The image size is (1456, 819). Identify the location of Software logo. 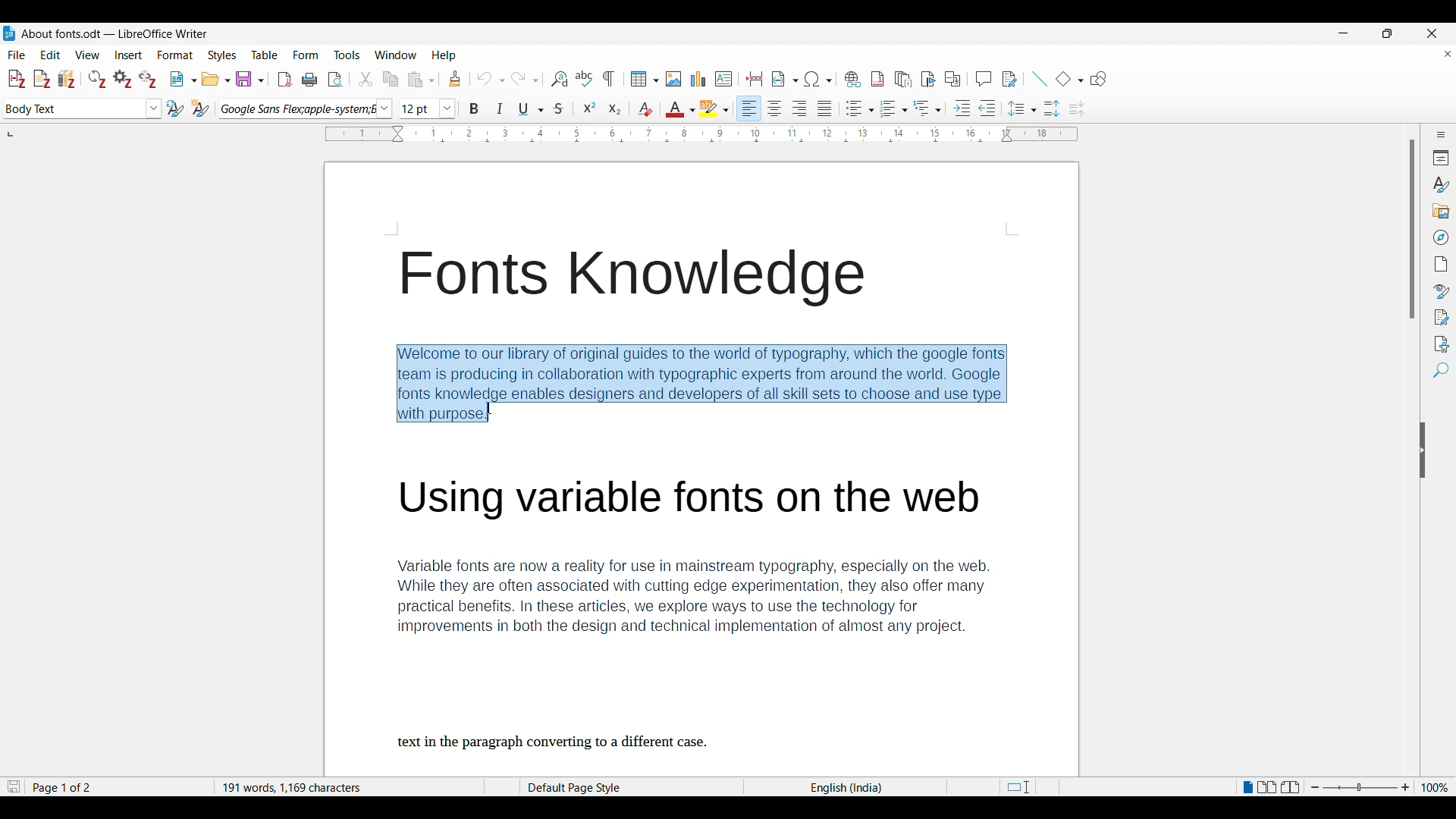
(9, 33).